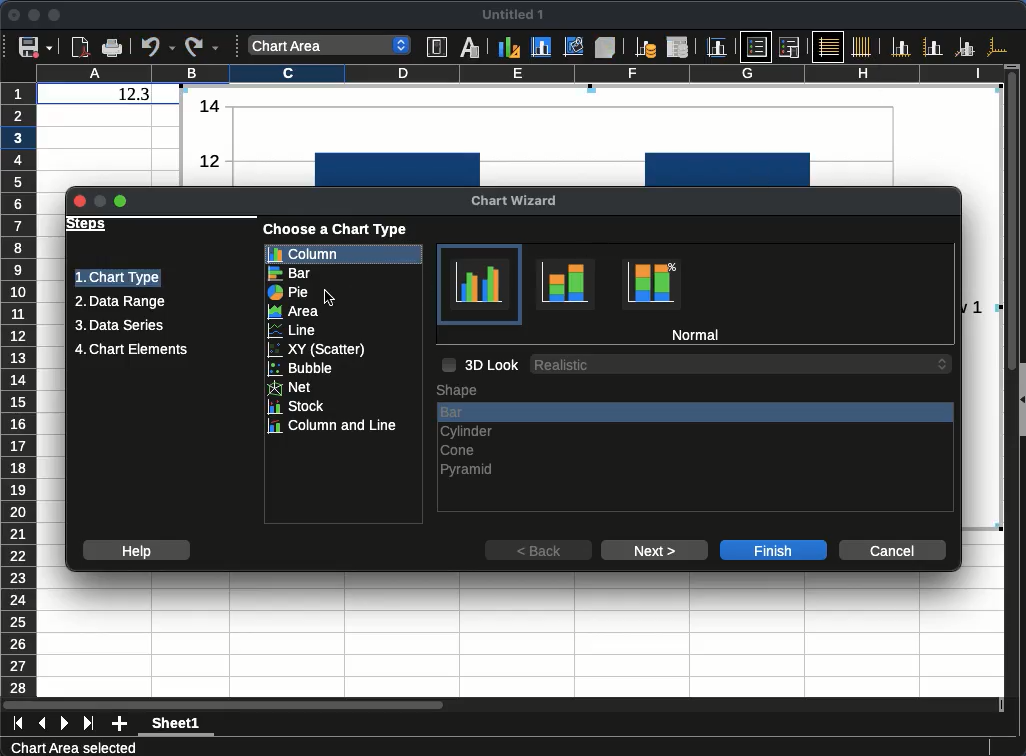 The height and width of the screenshot is (756, 1026). What do you see at coordinates (223, 704) in the screenshot?
I see `Horizontal slide bar` at bounding box center [223, 704].